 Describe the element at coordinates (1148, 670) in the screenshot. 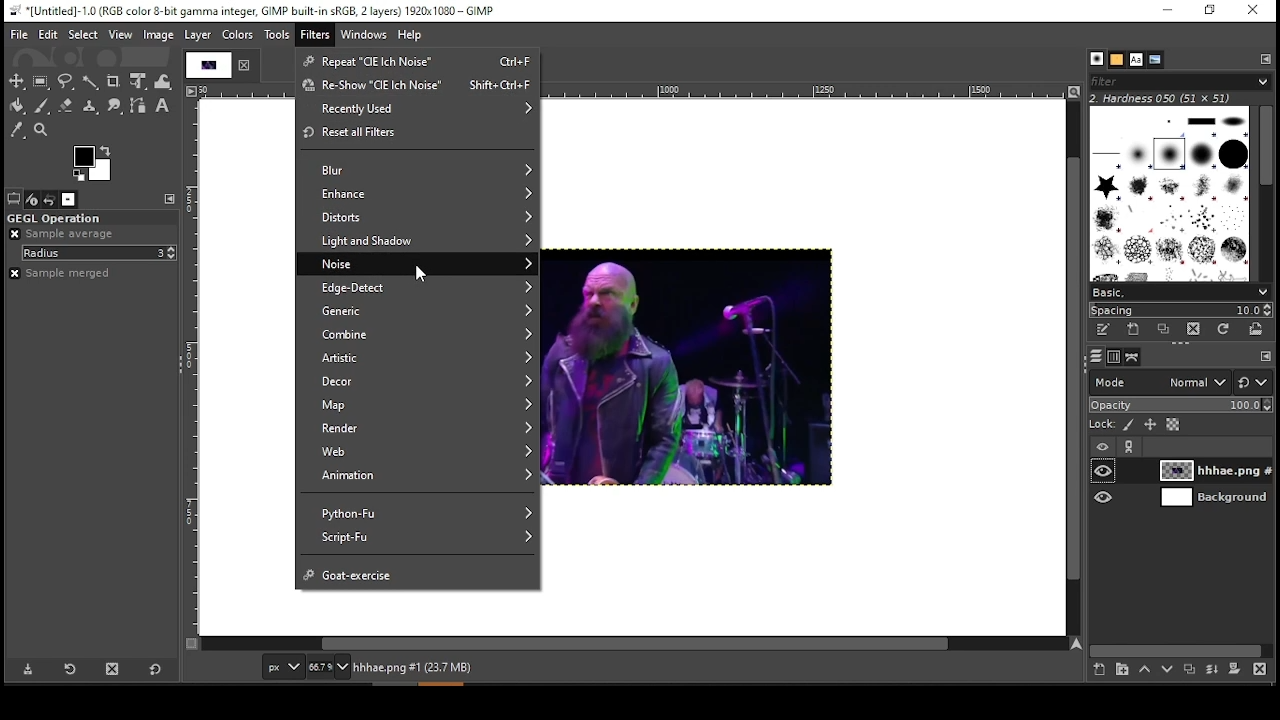

I see `move layer on step up` at that location.